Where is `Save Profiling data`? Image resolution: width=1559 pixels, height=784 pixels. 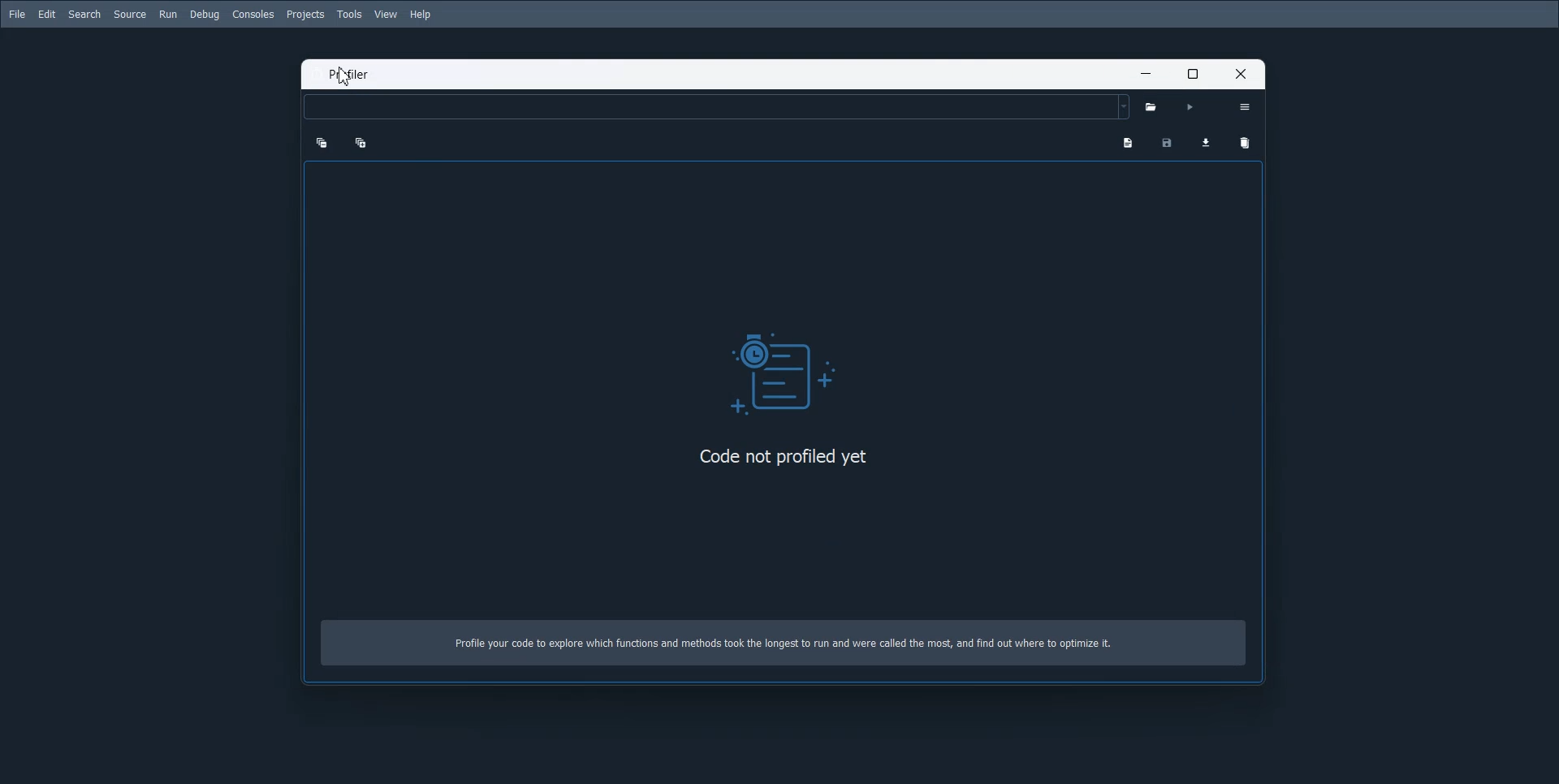
Save Profiling data is located at coordinates (1167, 141).